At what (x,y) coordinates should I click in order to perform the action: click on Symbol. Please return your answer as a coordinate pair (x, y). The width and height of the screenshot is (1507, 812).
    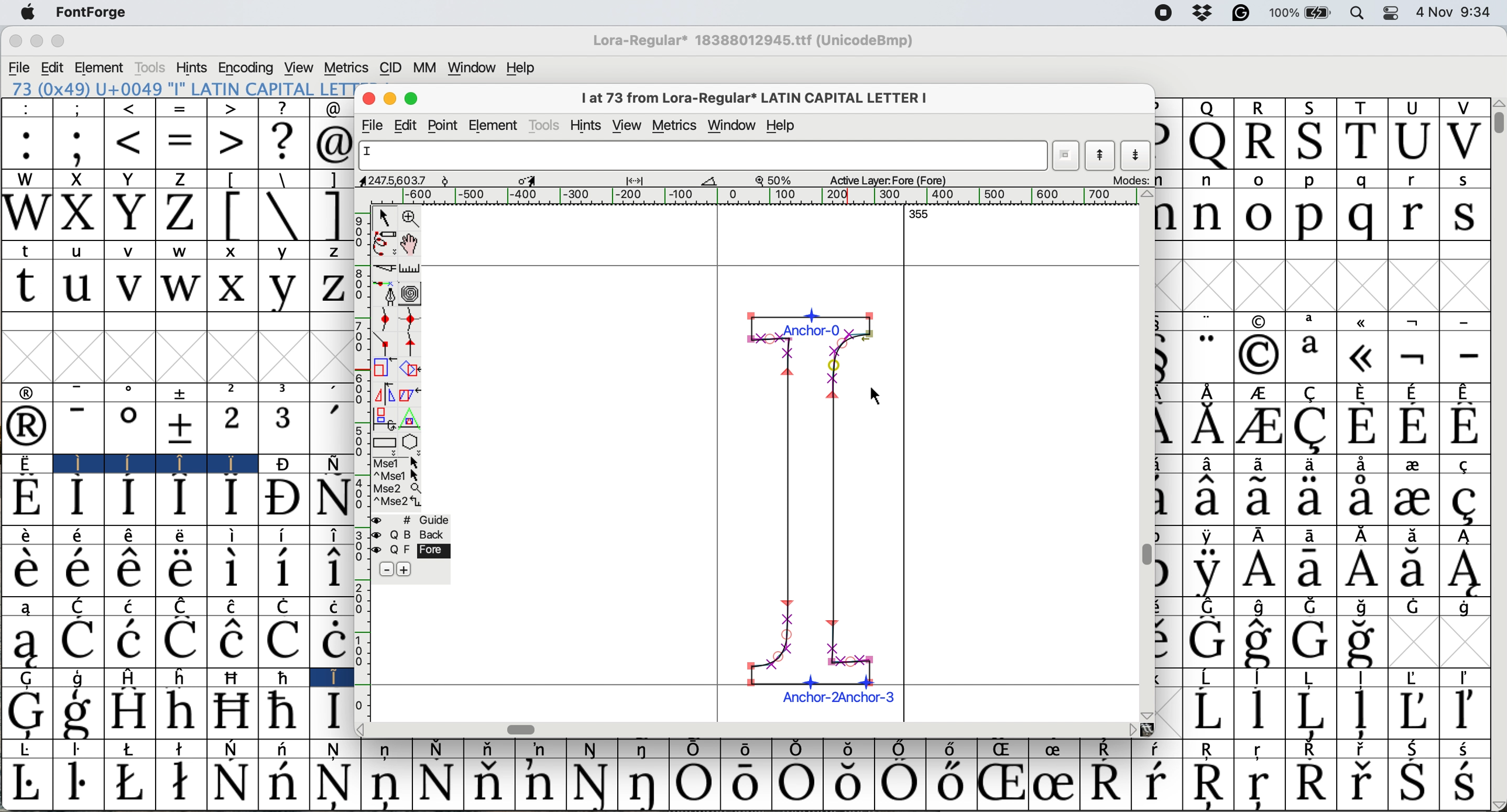
    Looking at the image, I should click on (1360, 426).